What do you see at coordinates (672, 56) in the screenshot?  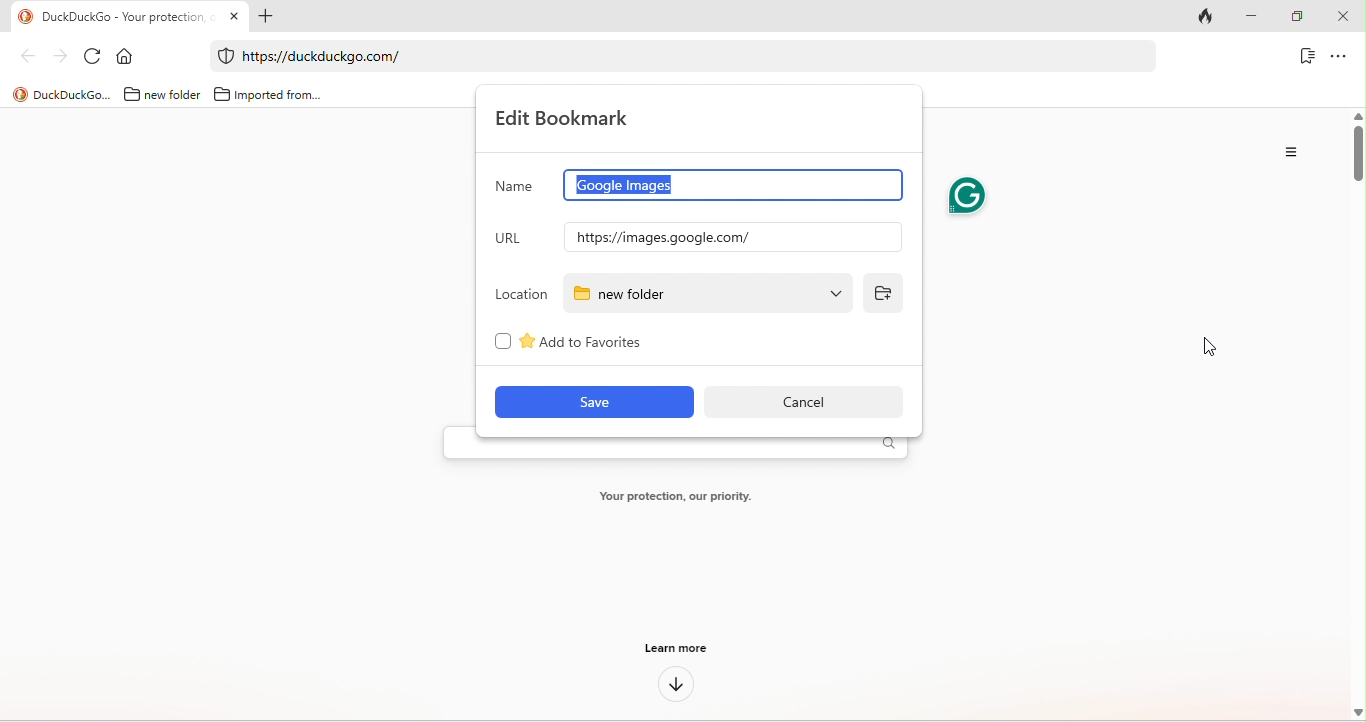 I see `web link` at bounding box center [672, 56].